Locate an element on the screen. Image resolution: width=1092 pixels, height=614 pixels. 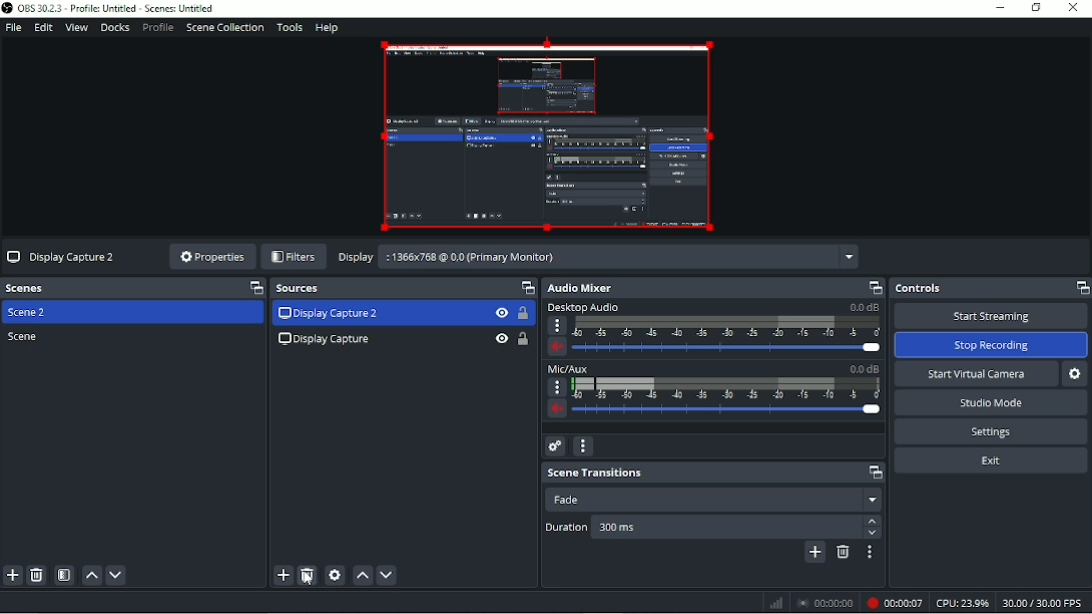
Scene collection is located at coordinates (225, 28).